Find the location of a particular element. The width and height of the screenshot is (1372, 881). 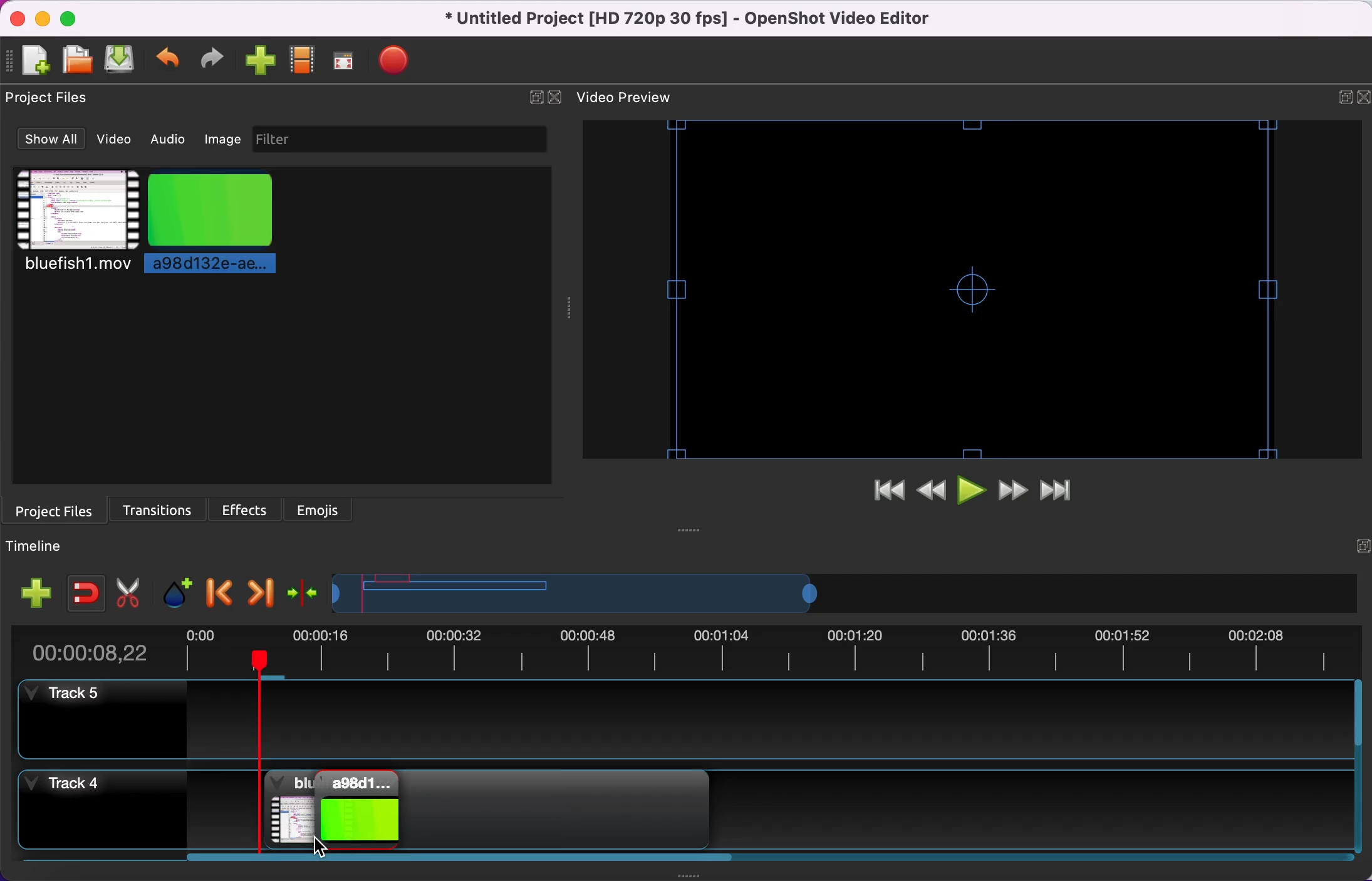

choose profile is located at coordinates (301, 63).